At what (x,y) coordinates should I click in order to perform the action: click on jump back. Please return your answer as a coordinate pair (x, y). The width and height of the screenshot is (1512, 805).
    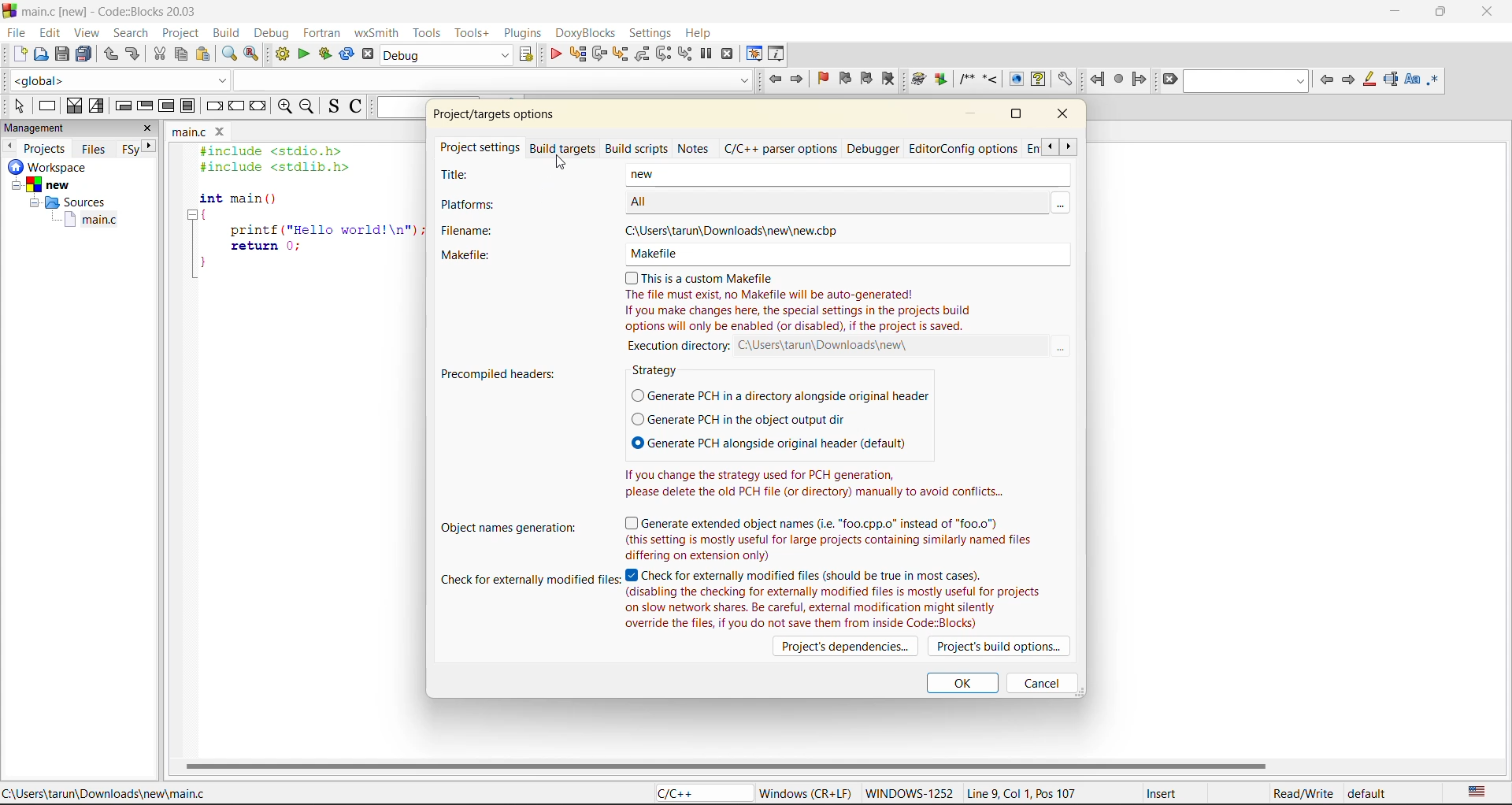
    Looking at the image, I should click on (774, 81).